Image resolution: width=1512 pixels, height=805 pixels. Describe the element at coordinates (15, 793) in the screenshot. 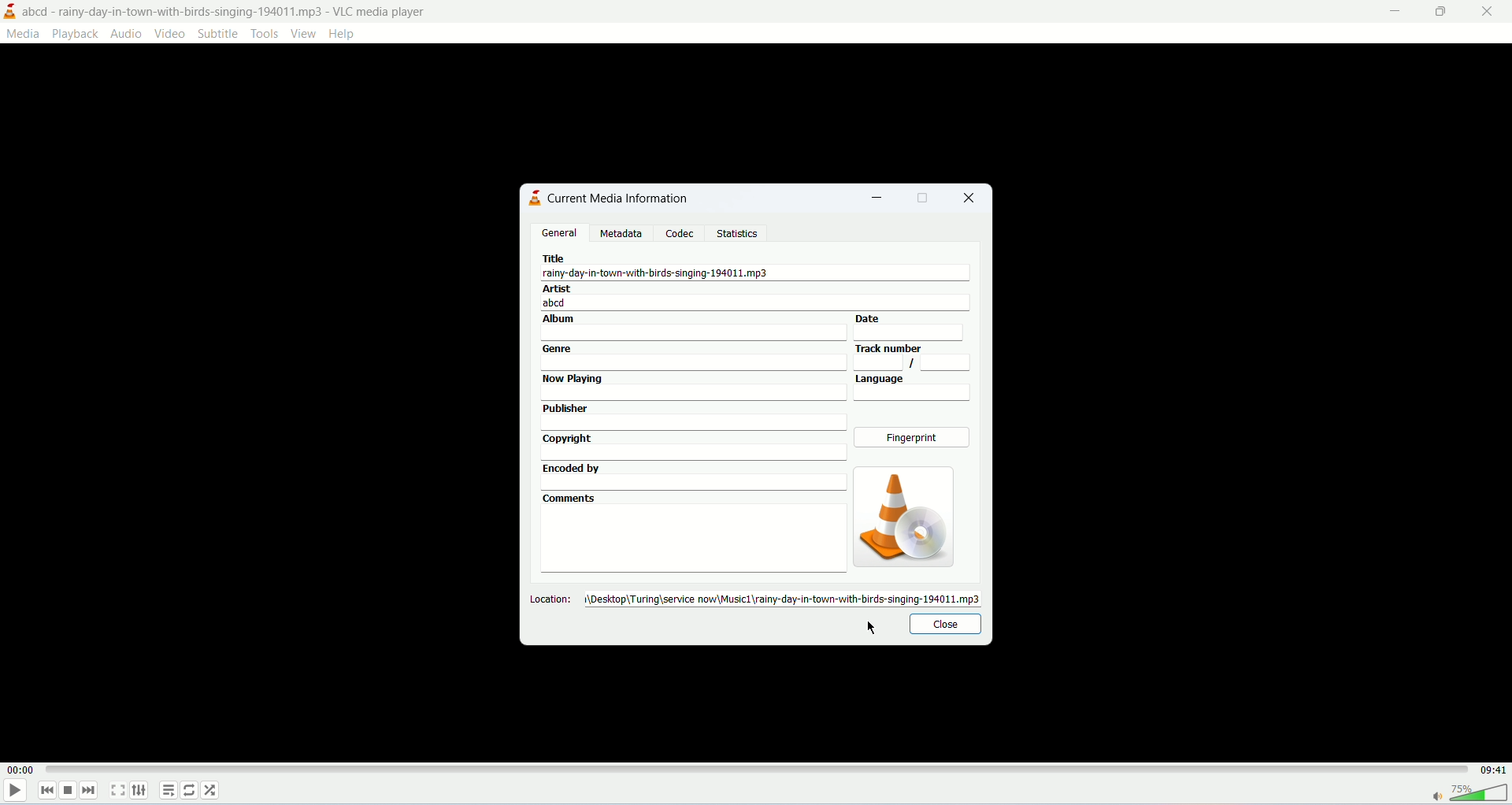

I see `play/pause` at that location.